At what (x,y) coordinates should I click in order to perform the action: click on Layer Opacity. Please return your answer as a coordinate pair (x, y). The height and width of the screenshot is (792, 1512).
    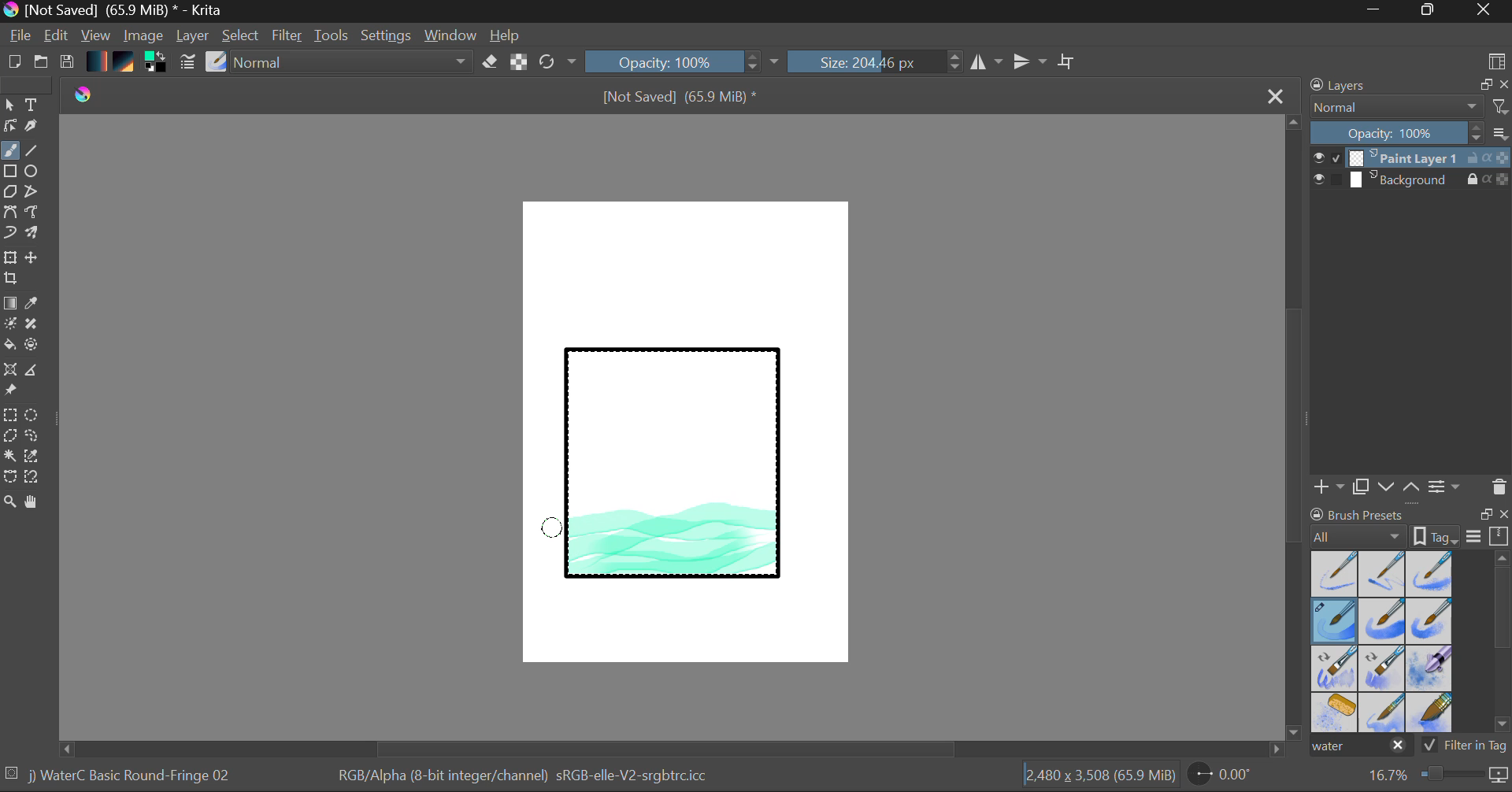
    Looking at the image, I should click on (1412, 134).